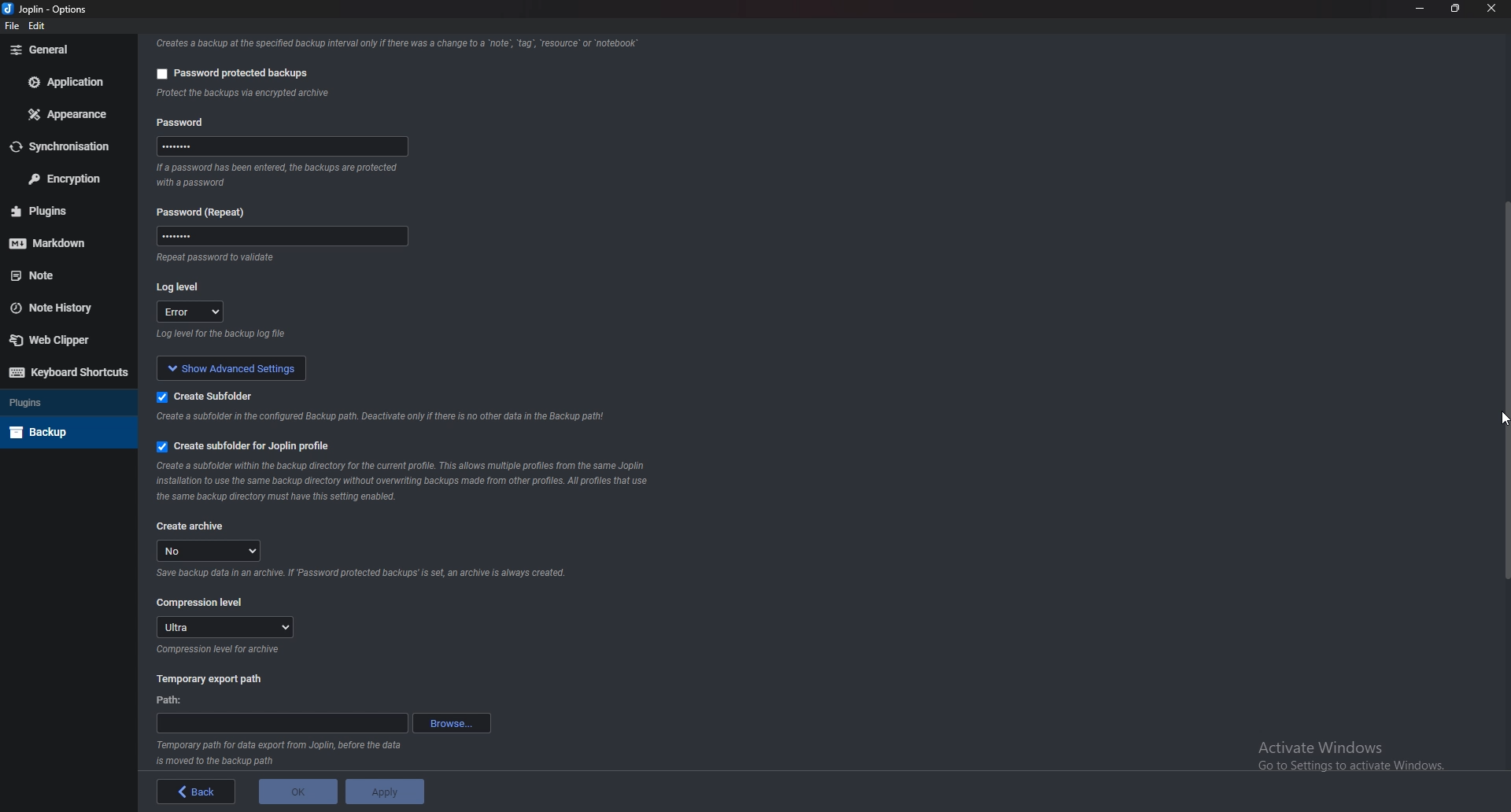 The width and height of the screenshot is (1511, 812). I want to click on Appearance, so click(68, 116).